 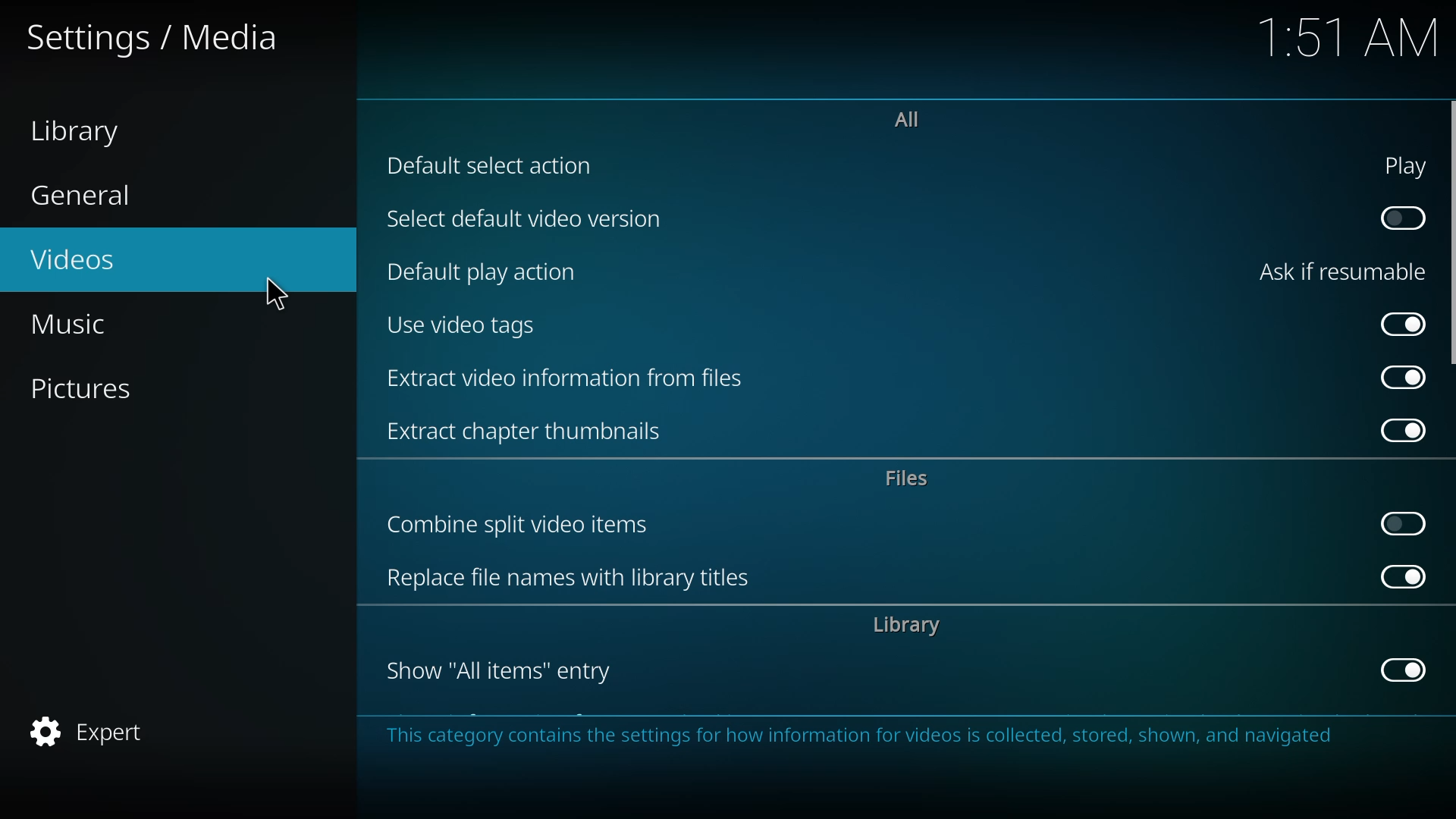 What do you see at coordinates (1404, 322) in the screenshot?
I see `enabled` at bounding box center [1404, 322].